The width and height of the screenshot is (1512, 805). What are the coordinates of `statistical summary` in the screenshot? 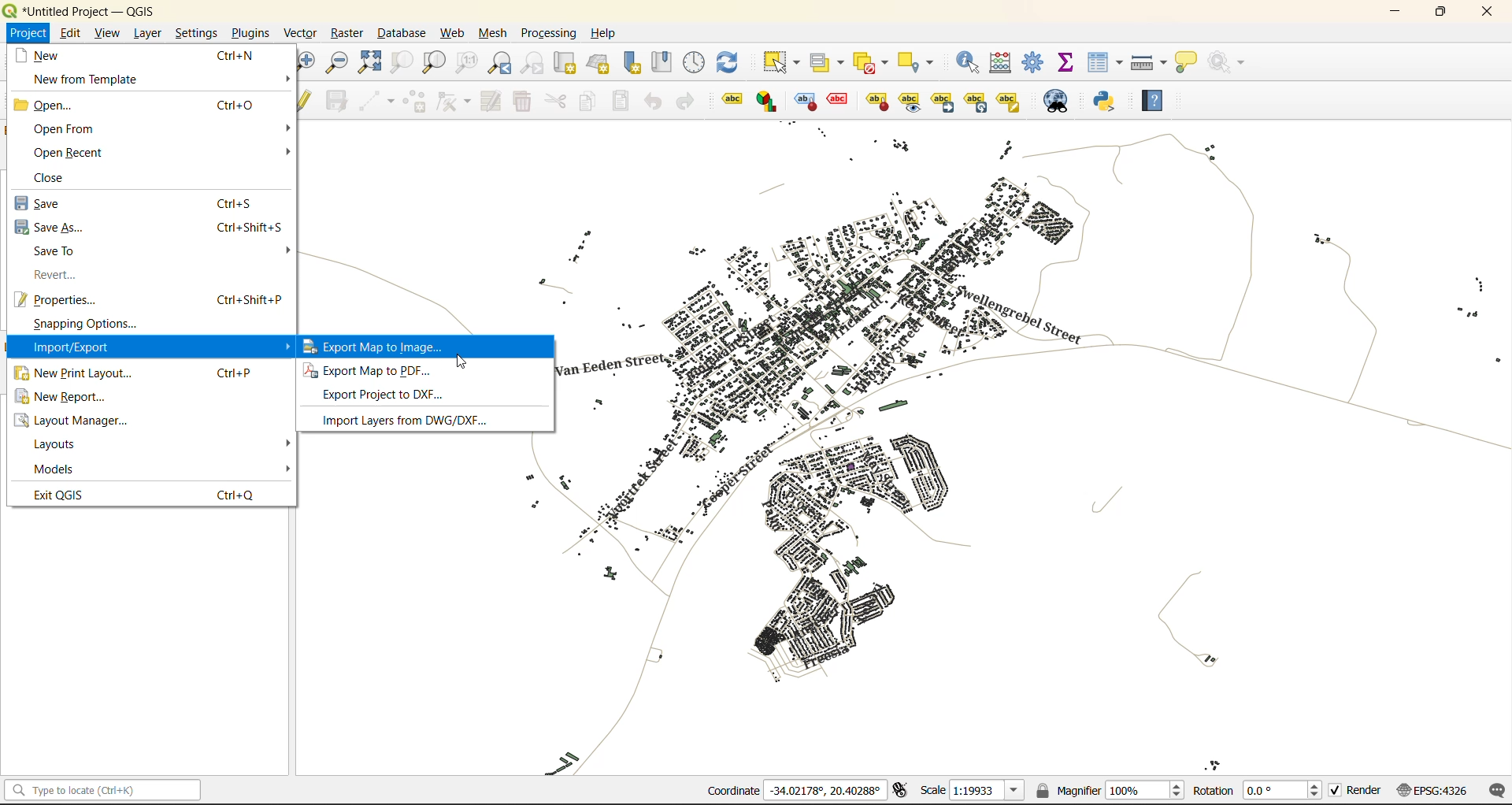 It's located at (1066, 64).